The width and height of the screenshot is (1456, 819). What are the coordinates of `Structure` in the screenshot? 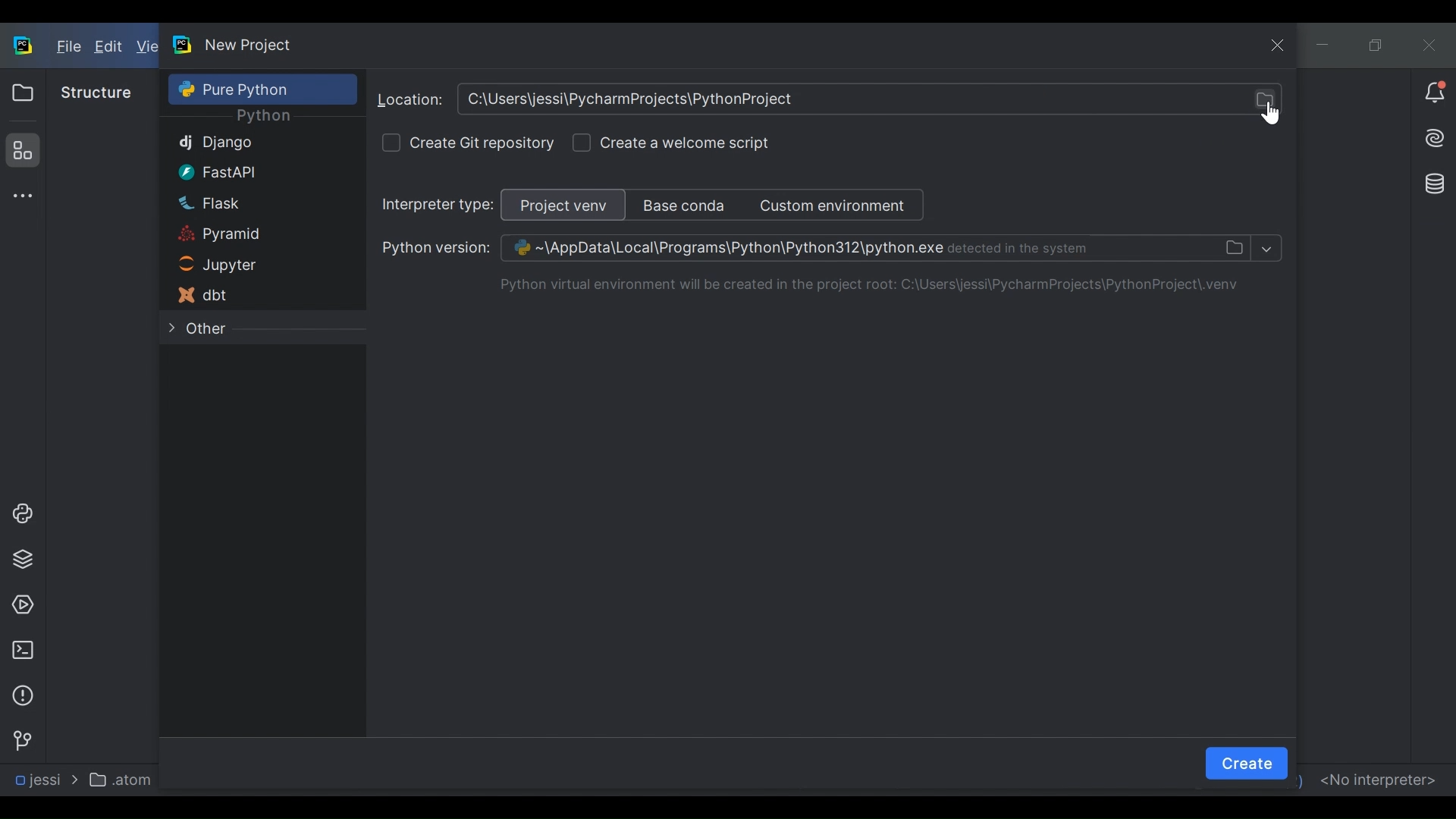 It's located at (20, 150).